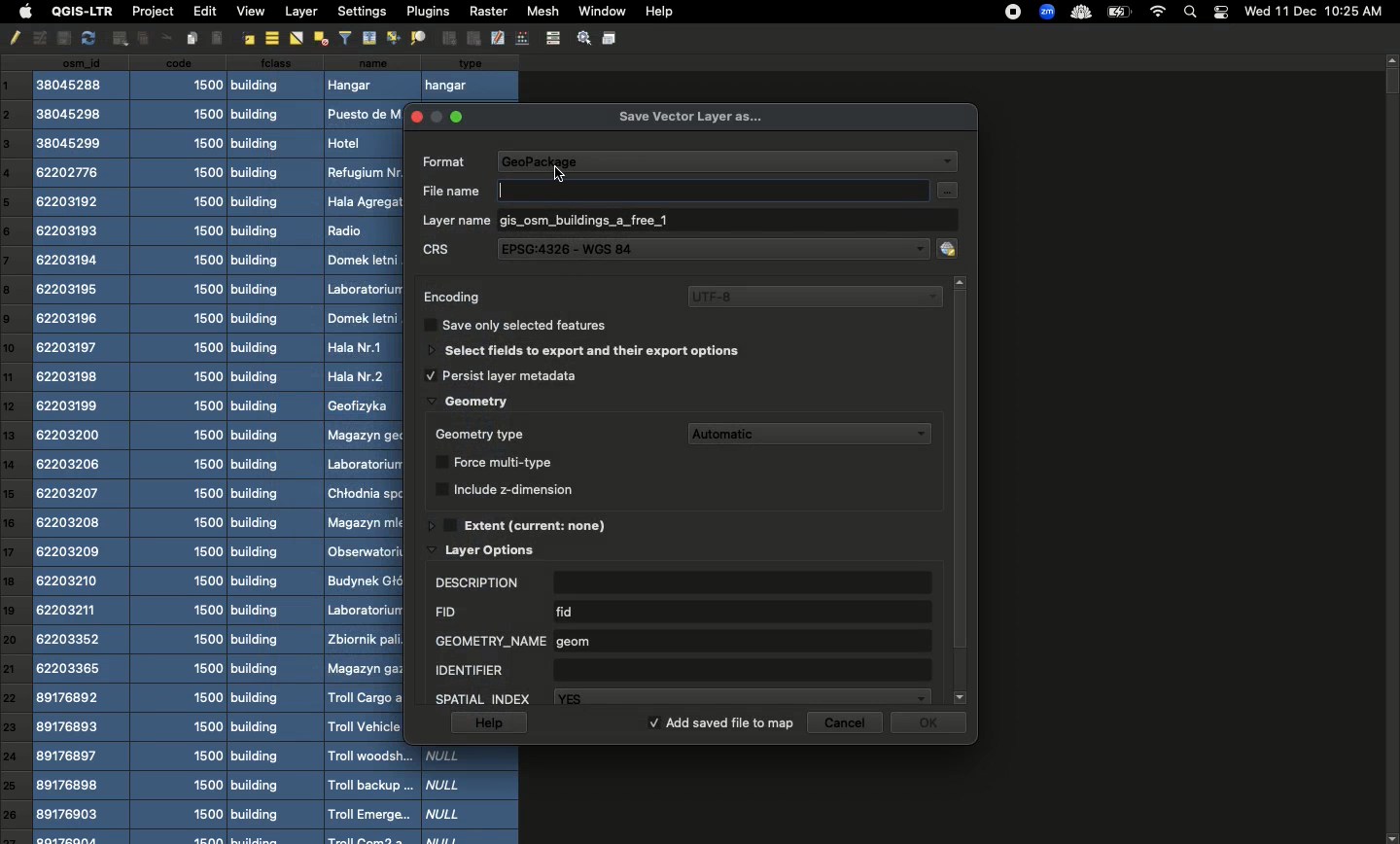 The height and width of the screenshot is (844, 1400). What do you see at coordinates (532, 525) in the screenshot?
I see `Extent` at bounding box center [532, 525].